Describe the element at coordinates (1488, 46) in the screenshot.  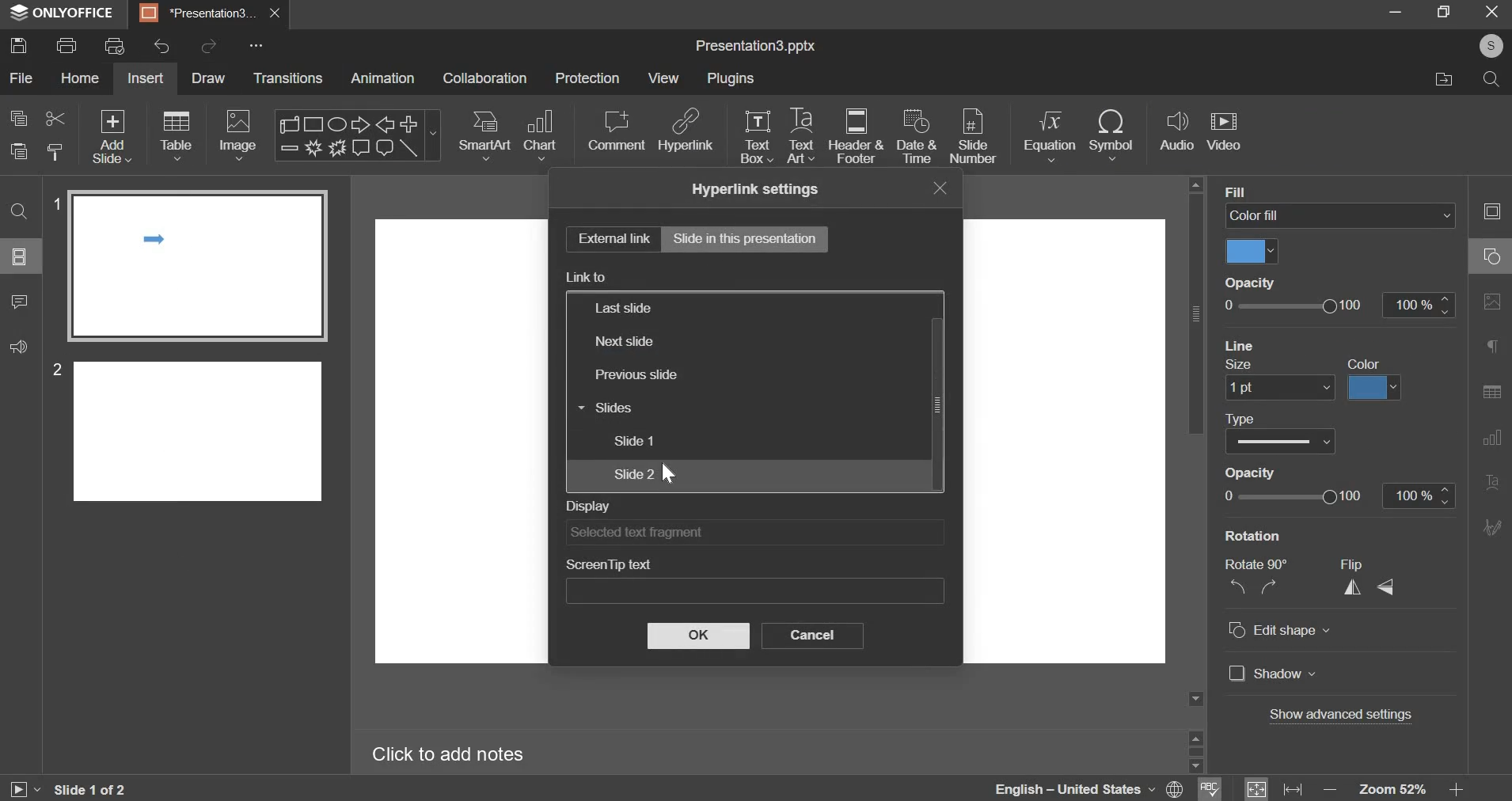
I see `account holder` at that location.